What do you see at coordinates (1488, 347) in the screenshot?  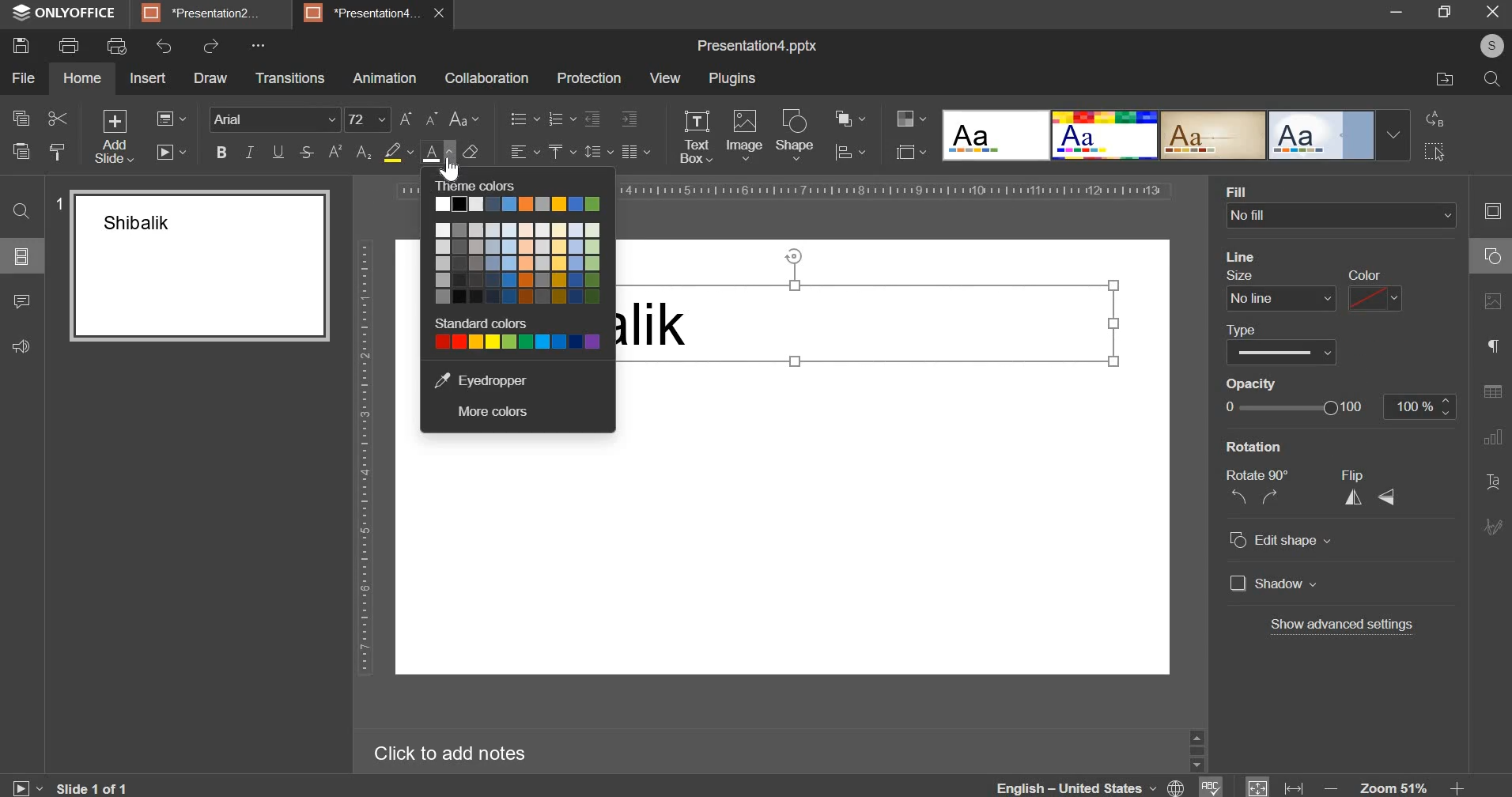 I see `paragraph` at bounding box center [1488, 347].